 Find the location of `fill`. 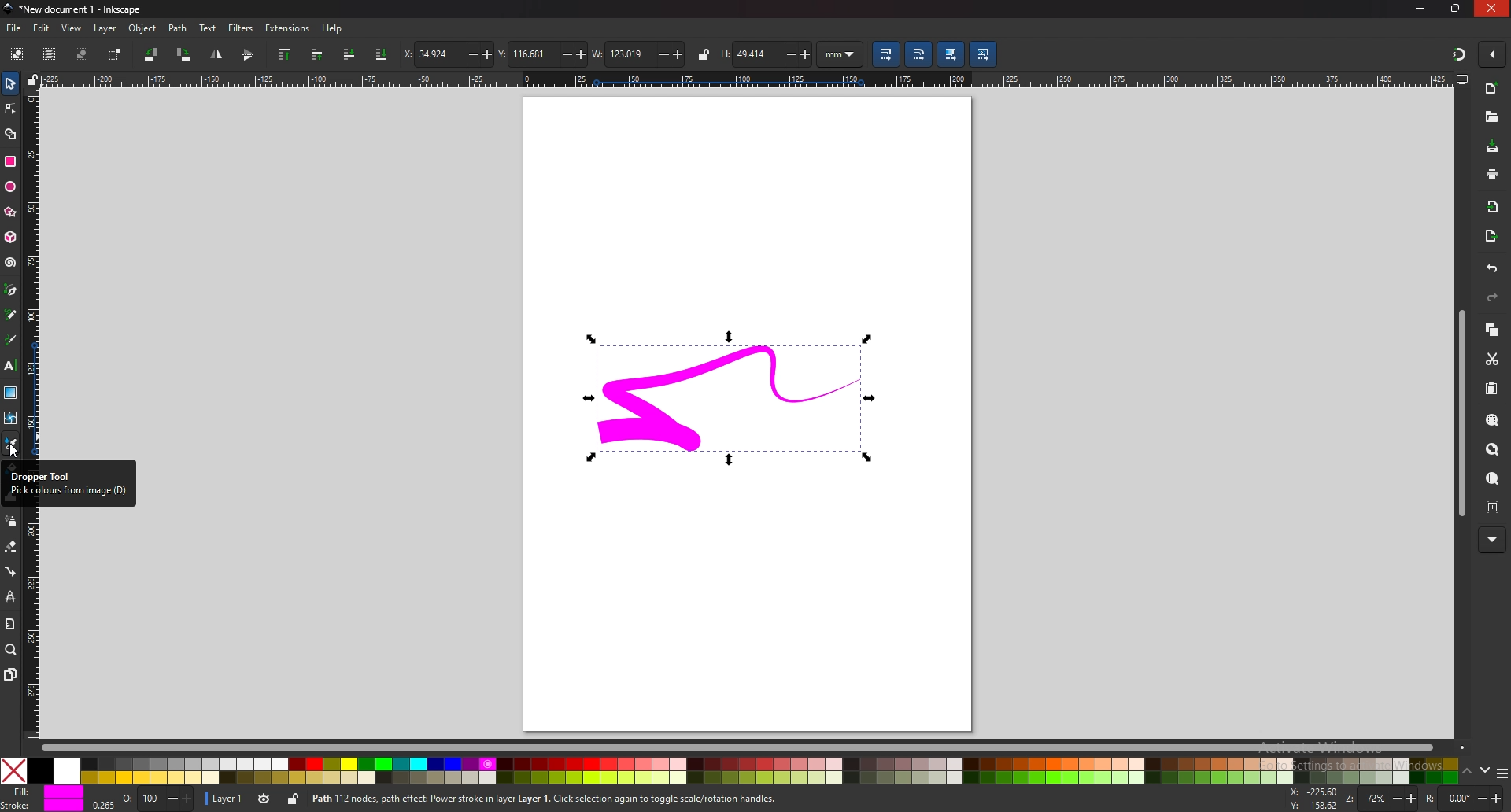

fill is located at coordinates (44, 791).